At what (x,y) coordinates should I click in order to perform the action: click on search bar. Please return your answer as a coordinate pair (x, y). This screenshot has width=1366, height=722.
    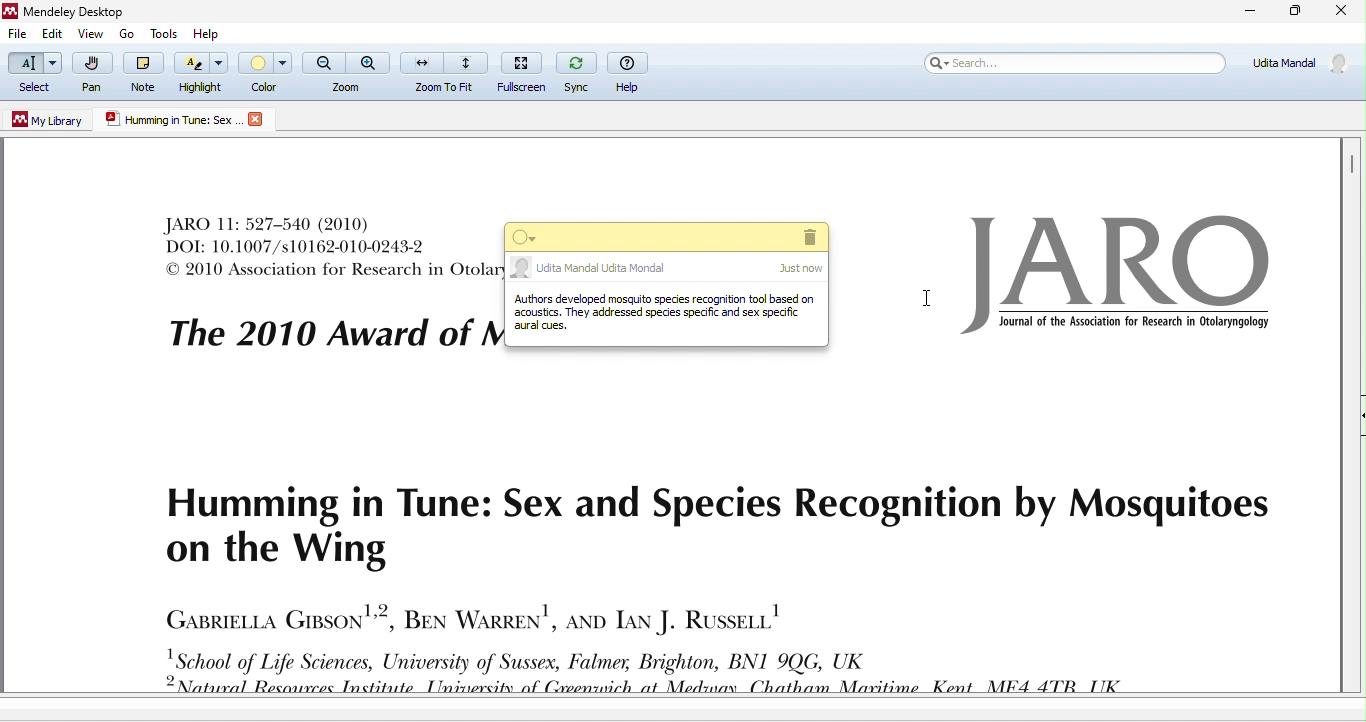
    Looking at the image, I should click on (1076, 65).